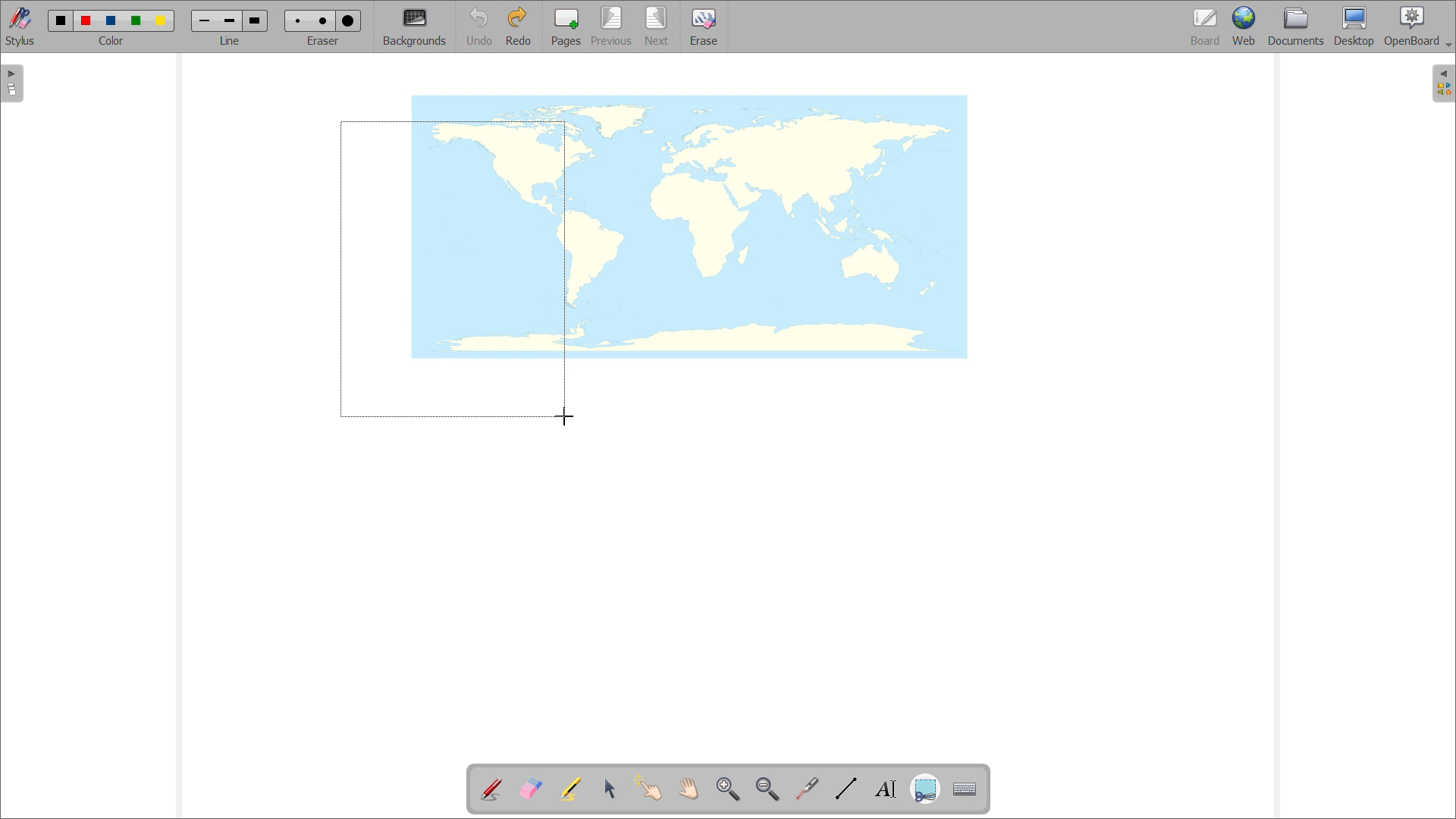  I want to click on Eraser, so click(325, 40).